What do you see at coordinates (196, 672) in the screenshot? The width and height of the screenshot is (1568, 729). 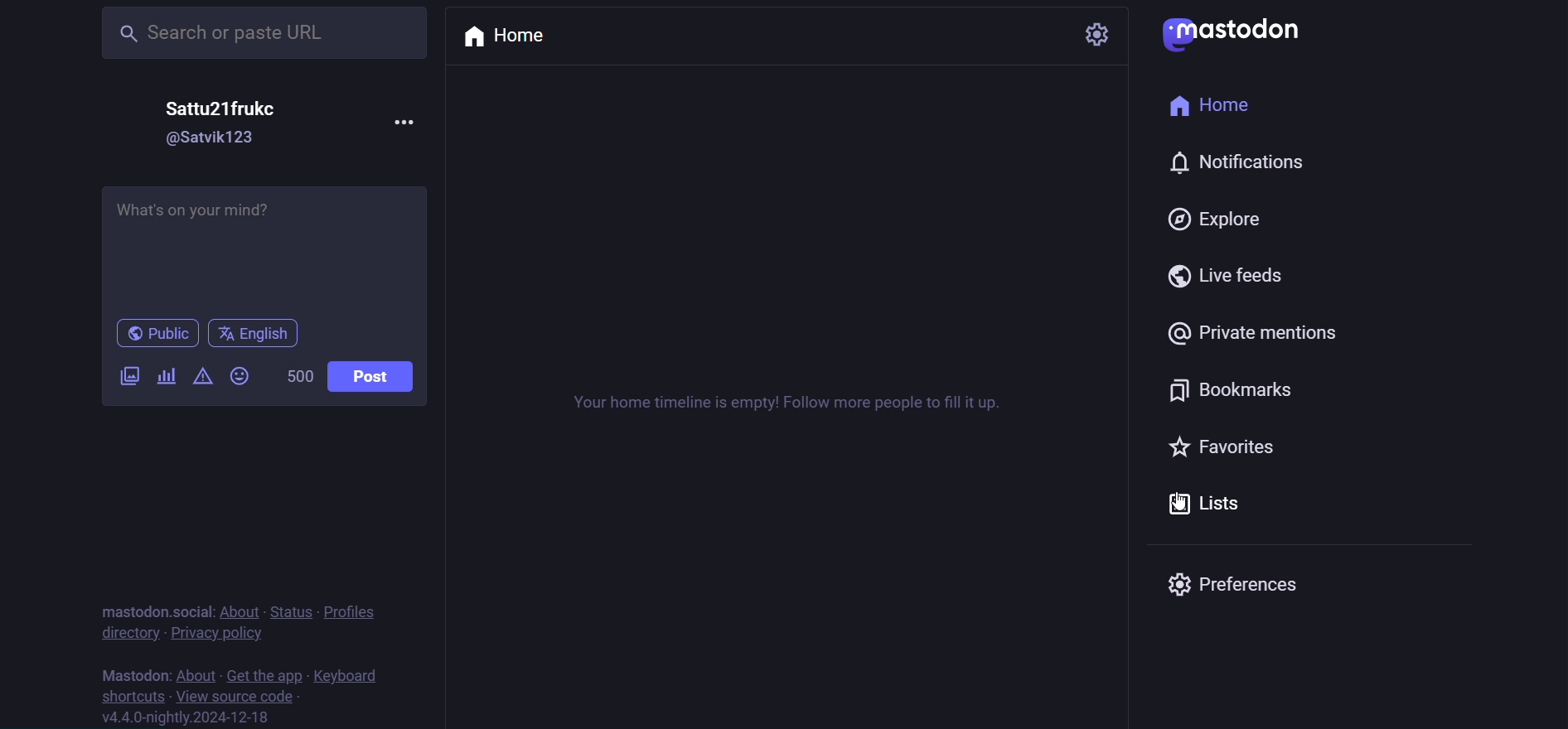 I see `about` at bounding box center [196, 672].